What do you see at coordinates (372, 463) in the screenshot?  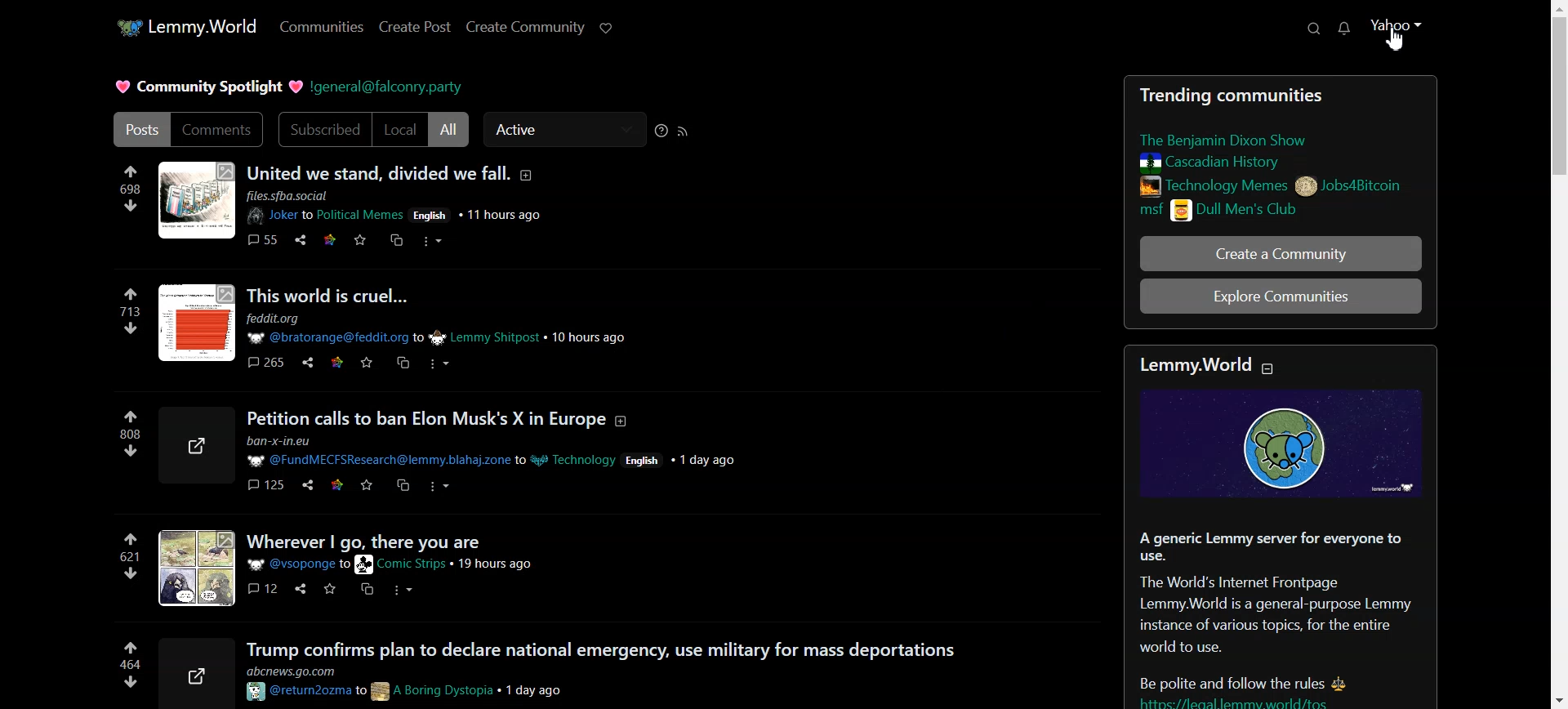 I see `username` at bounding box center [372, 463].